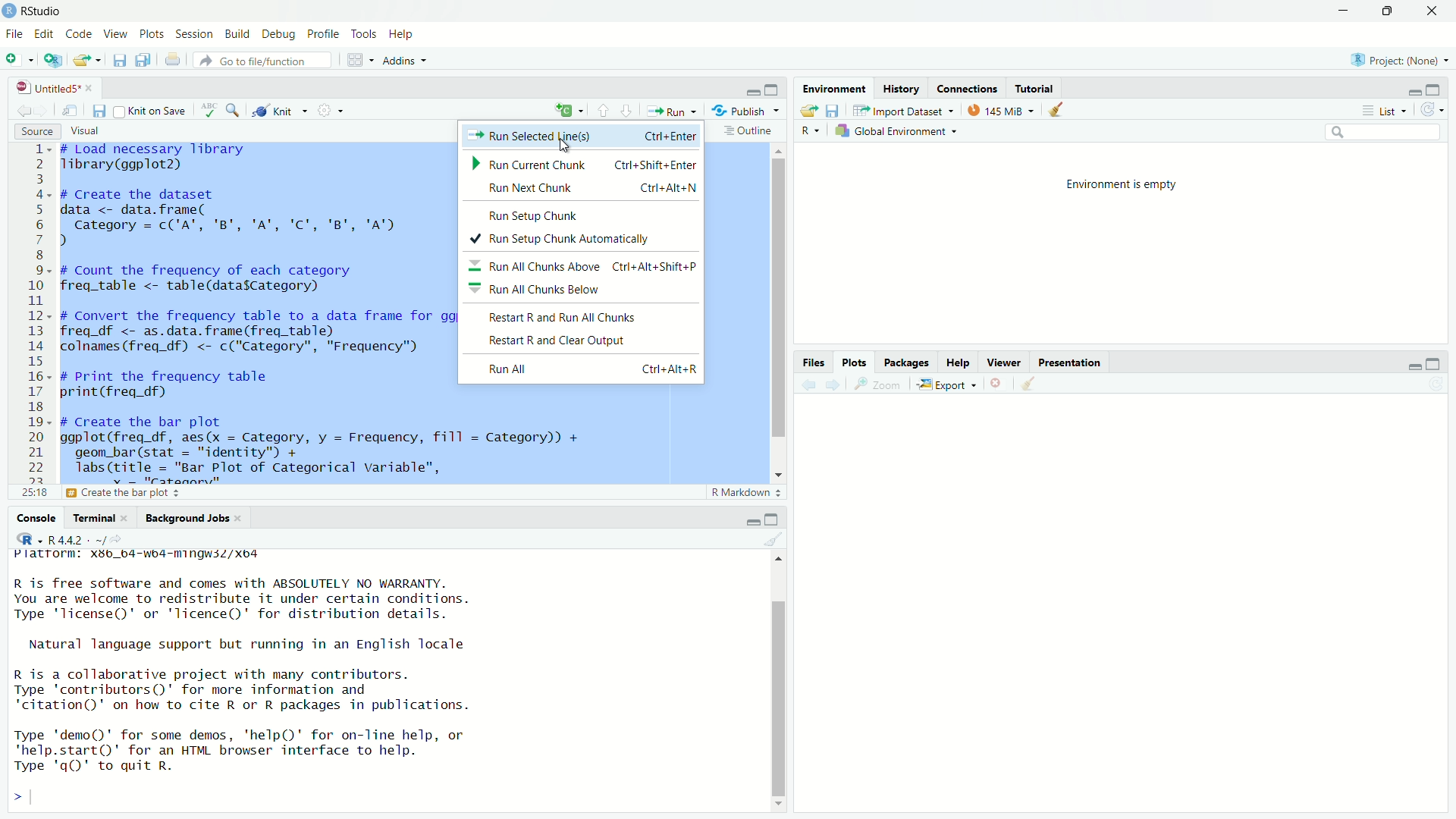 This screenshot has height=819, width=1456. I want to click on list, so click(1389, 111).